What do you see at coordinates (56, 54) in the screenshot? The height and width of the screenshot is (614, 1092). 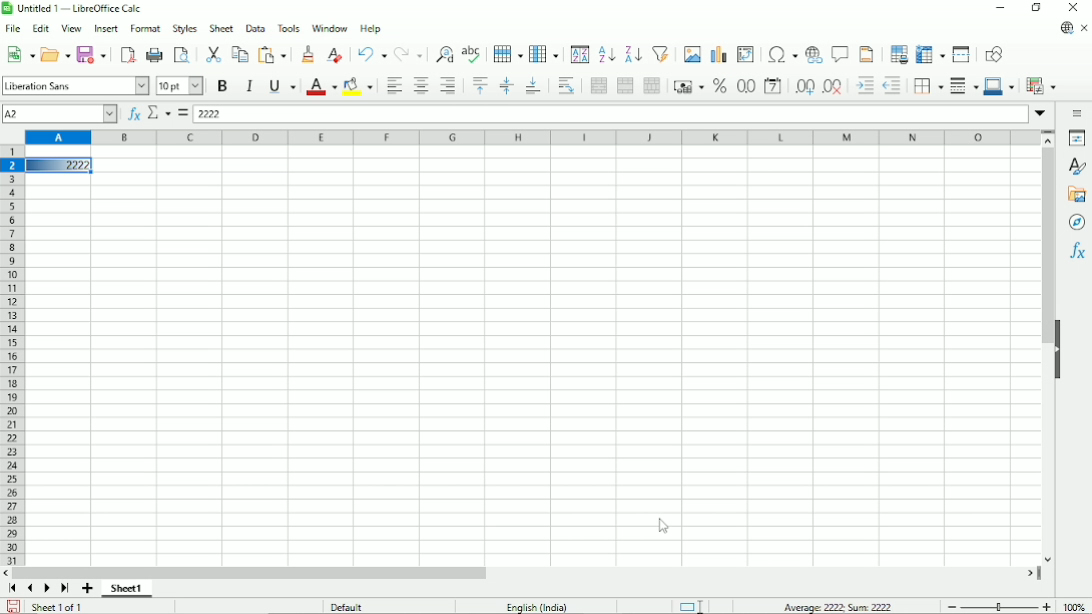 I see `Open` at bounding box center [56, 54].